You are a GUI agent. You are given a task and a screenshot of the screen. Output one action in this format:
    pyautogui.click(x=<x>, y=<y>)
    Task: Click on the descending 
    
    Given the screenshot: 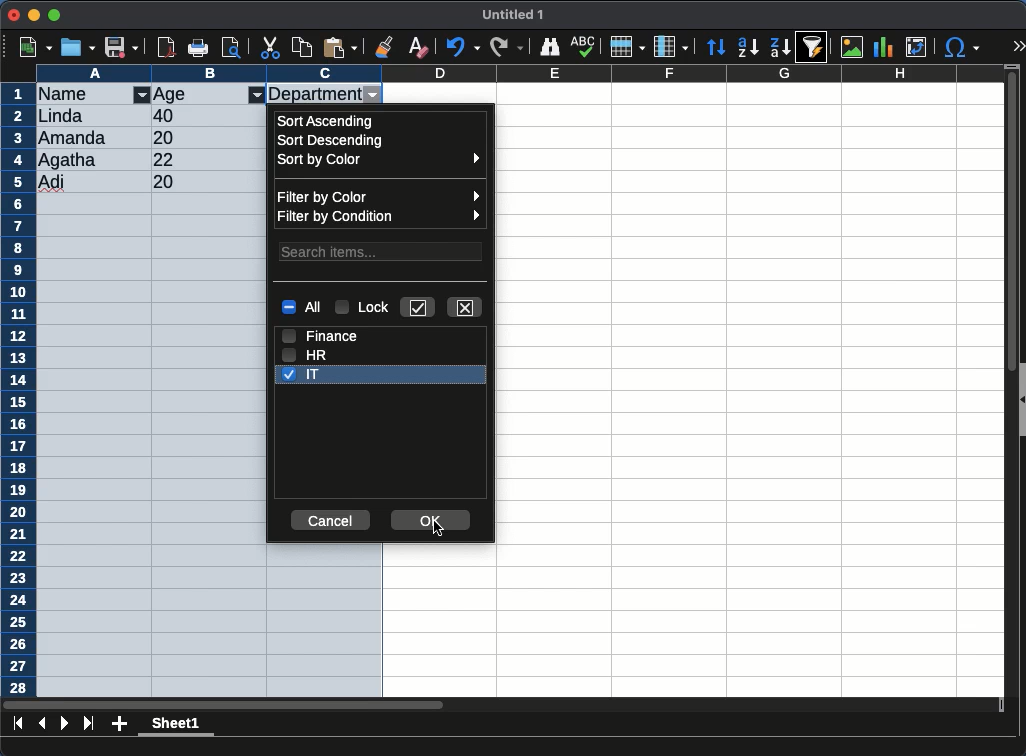 What is the action you would take?
    pyautogui.click(x=333, y=141)
    